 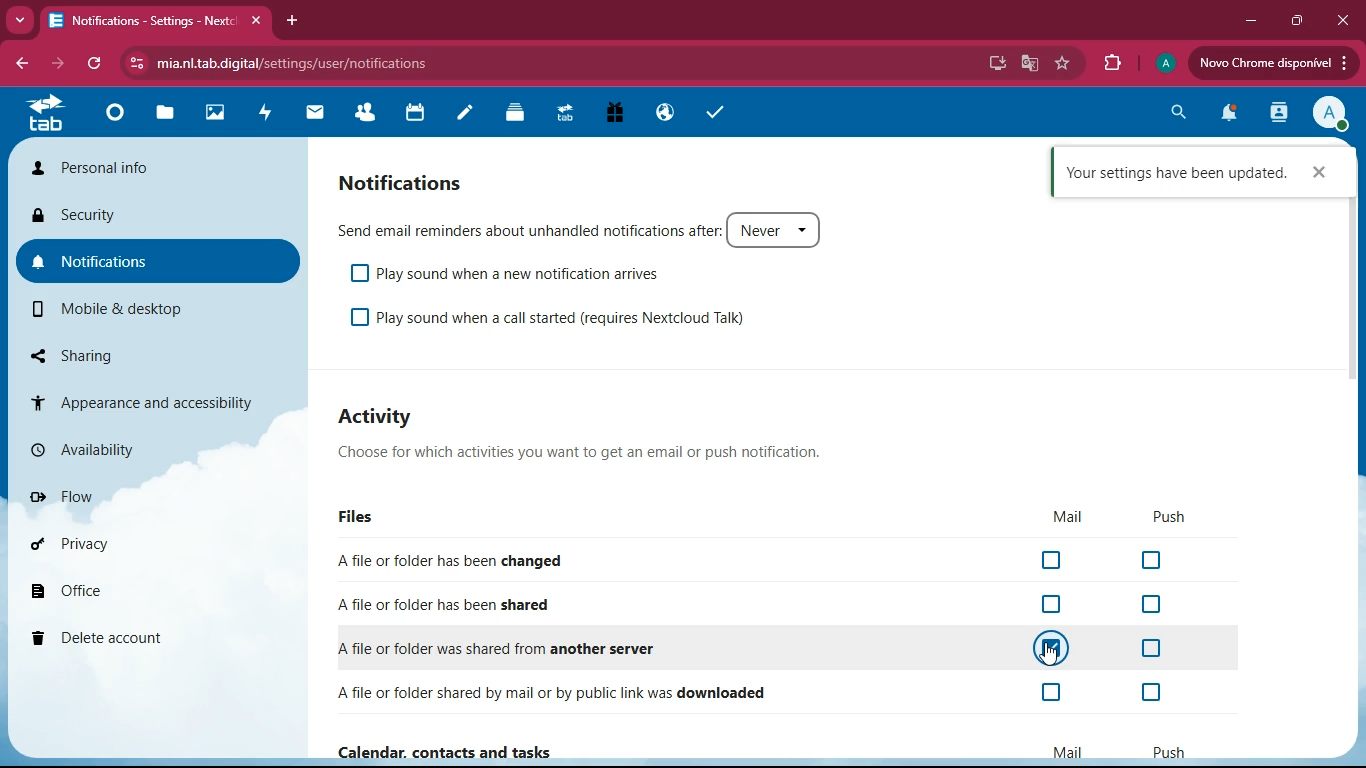 I want to click on appearance, so click(x=155, y=397).